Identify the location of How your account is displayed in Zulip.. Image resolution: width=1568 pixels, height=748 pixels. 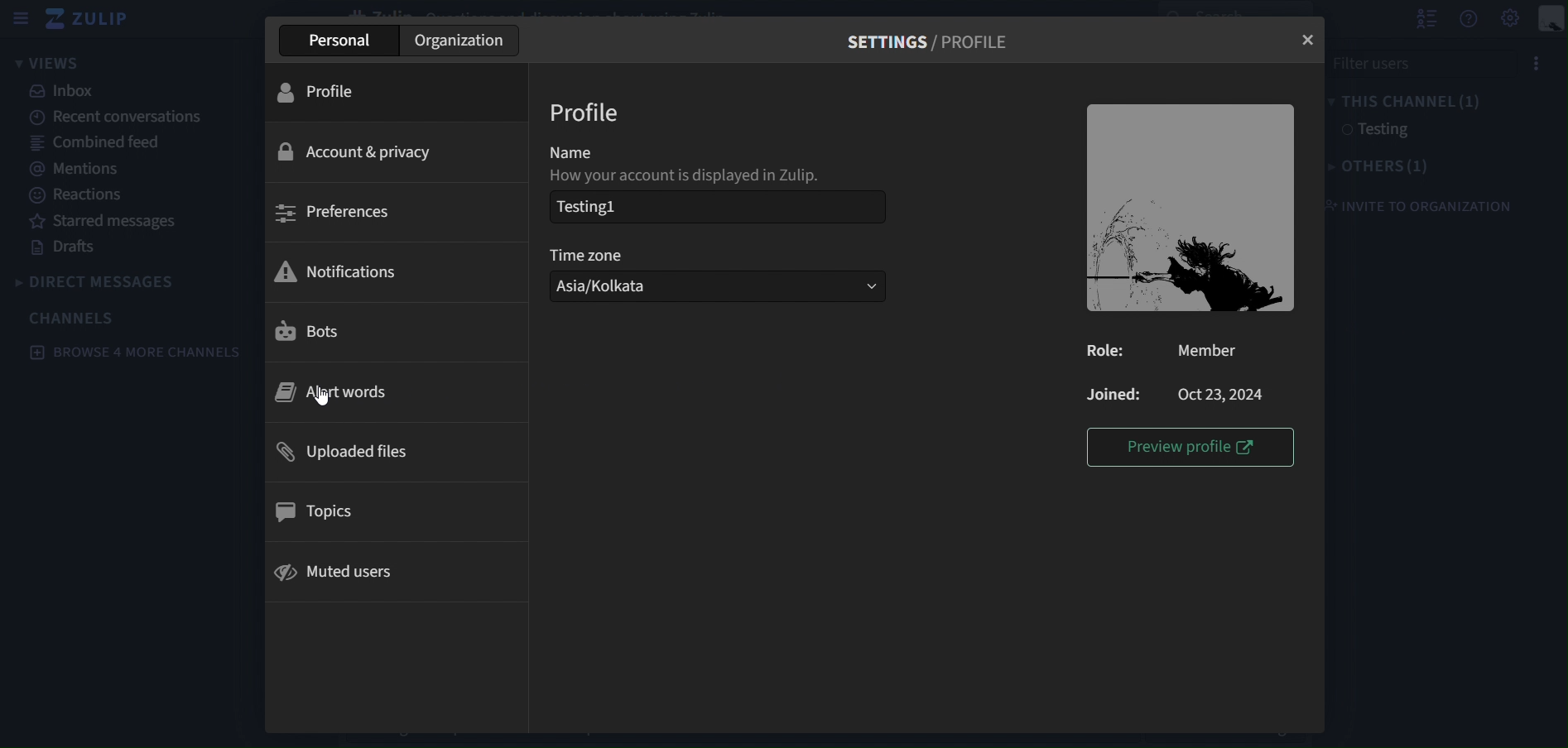
(695, 177).